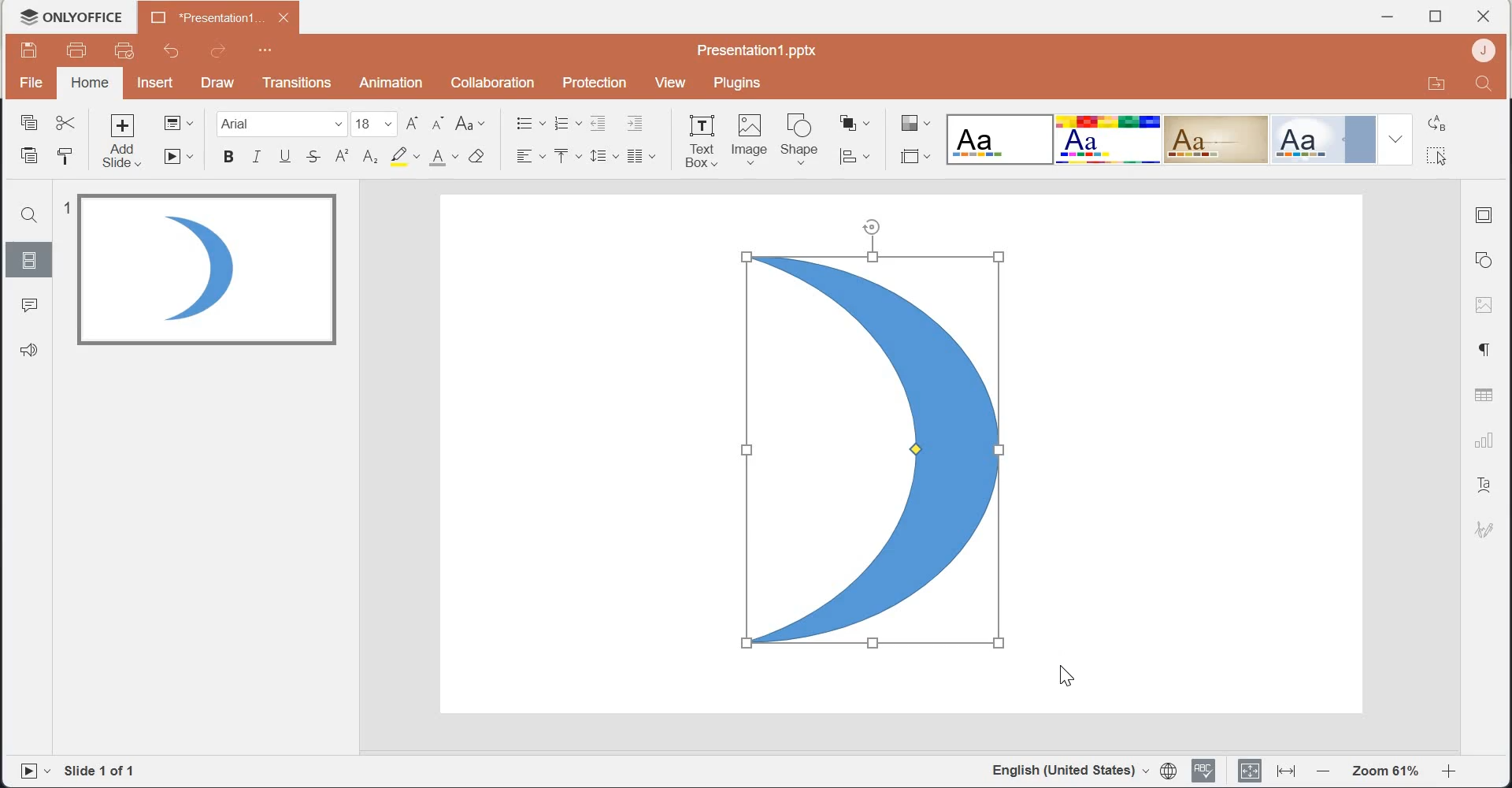 This screenshot has height=788, width=1512. Describe the element at coordinates (1481, 50) in the screenshot. I see `Account` at that location.